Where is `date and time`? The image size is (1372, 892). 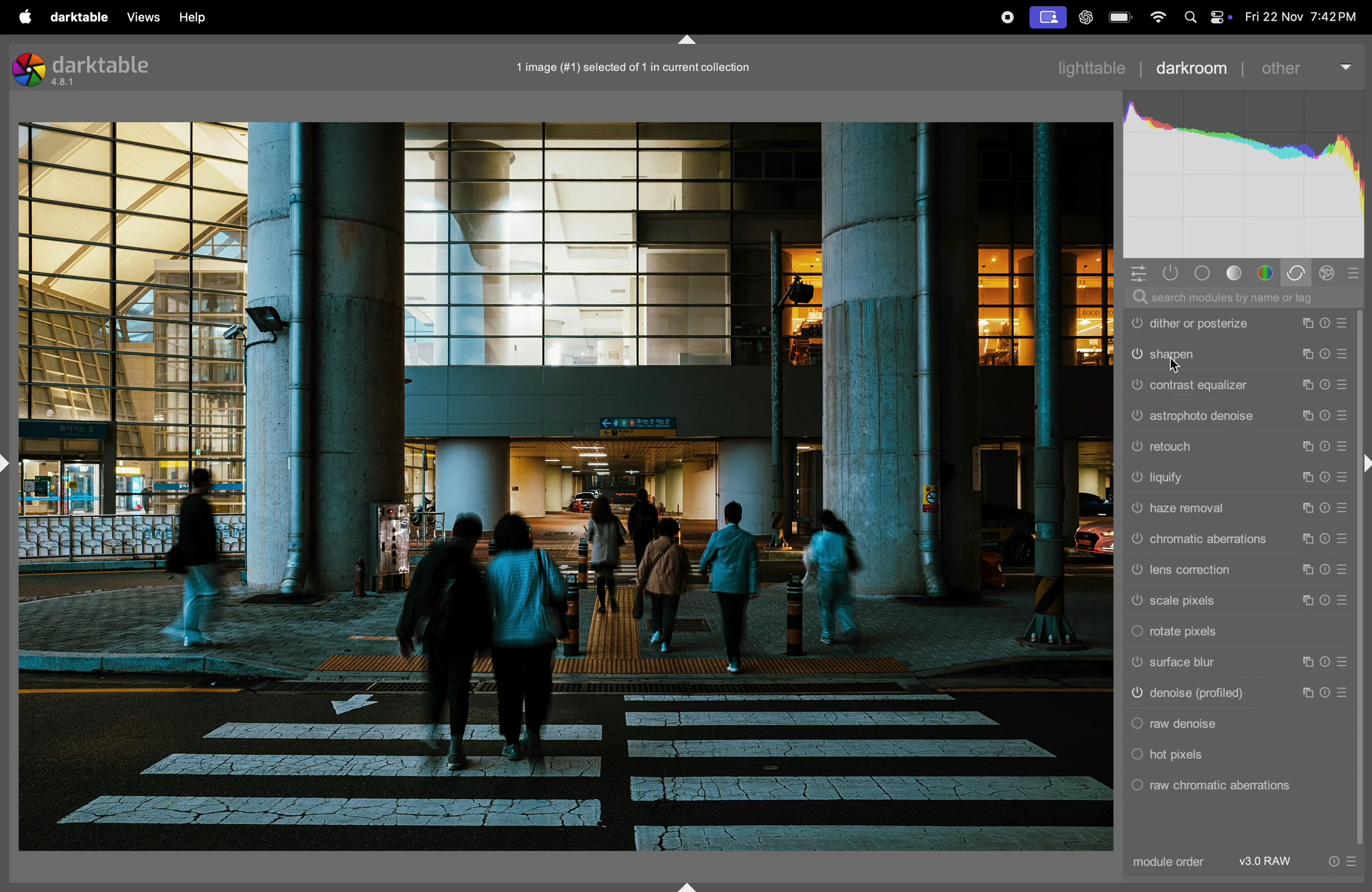 date and time is located at coordinates (1302, 14).